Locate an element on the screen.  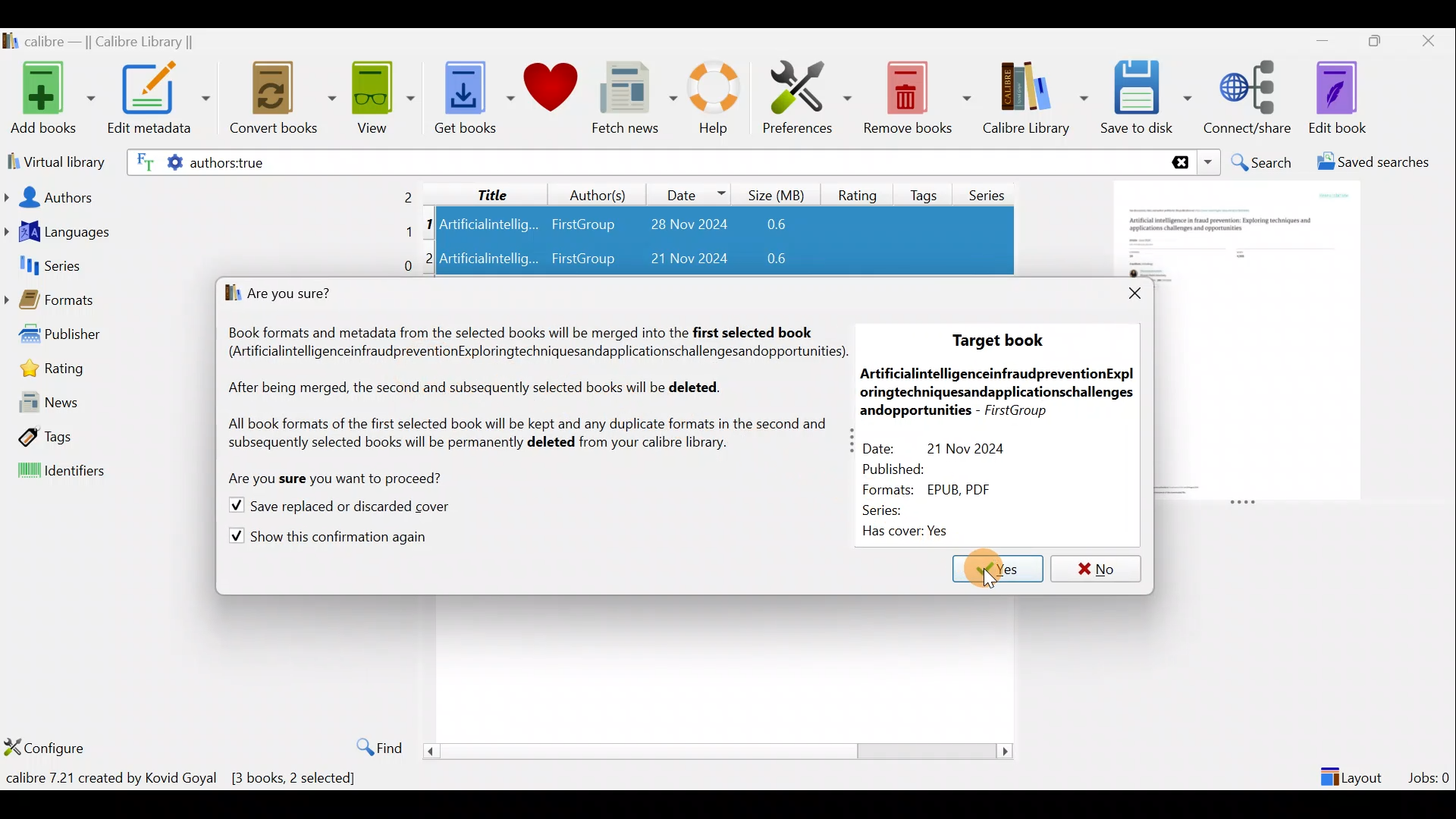
ArtificialintelligenceinfraudpreventionExploringtechniquesandapplicationschallenges\anddopportunities - FirstGroup is located at coordinates (999, 391).